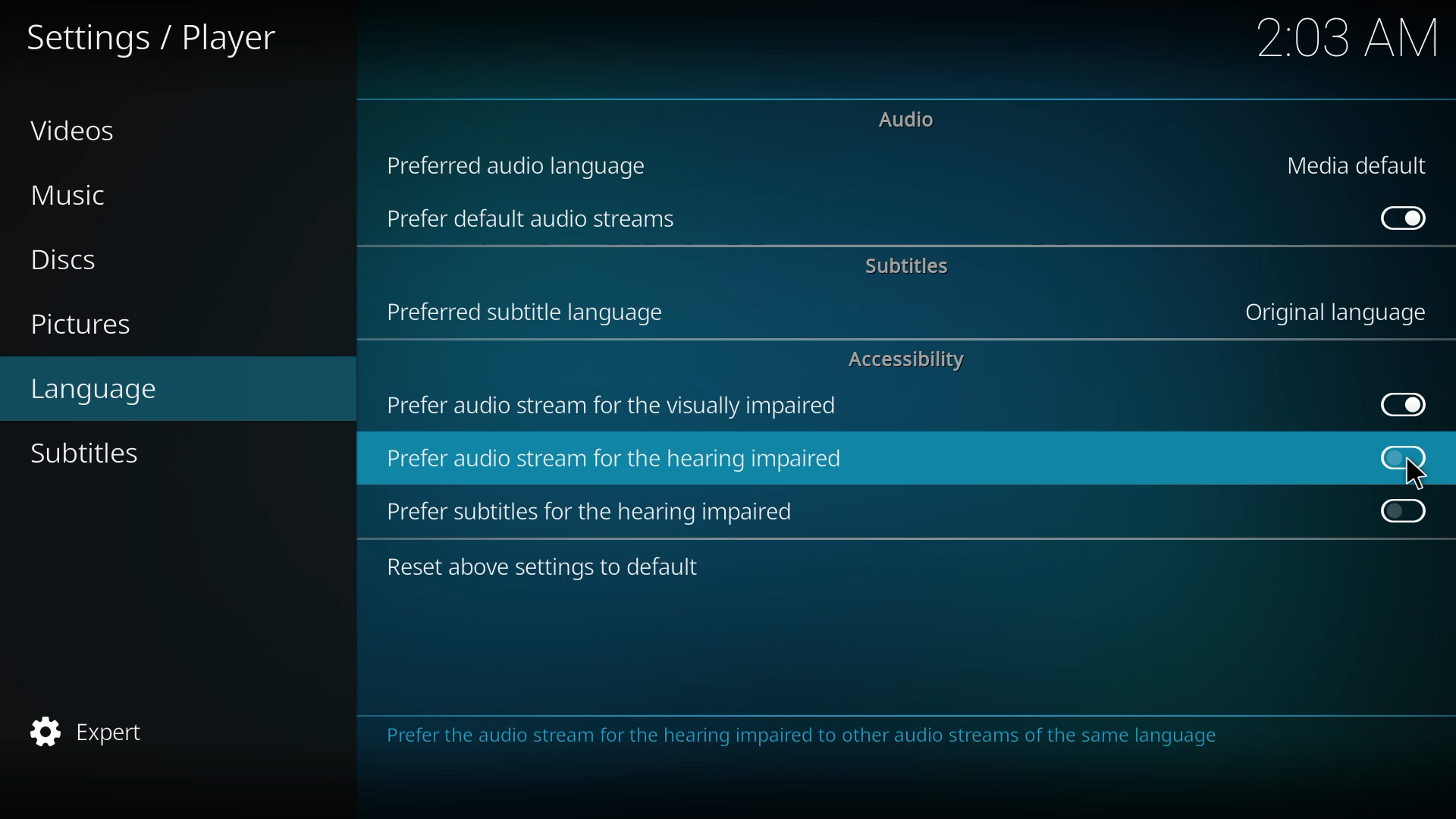 Image resolution: width=1456 pixels, height=819 pixels. I want to click on prefer audio stream for visually impaired, so click(616, 405).